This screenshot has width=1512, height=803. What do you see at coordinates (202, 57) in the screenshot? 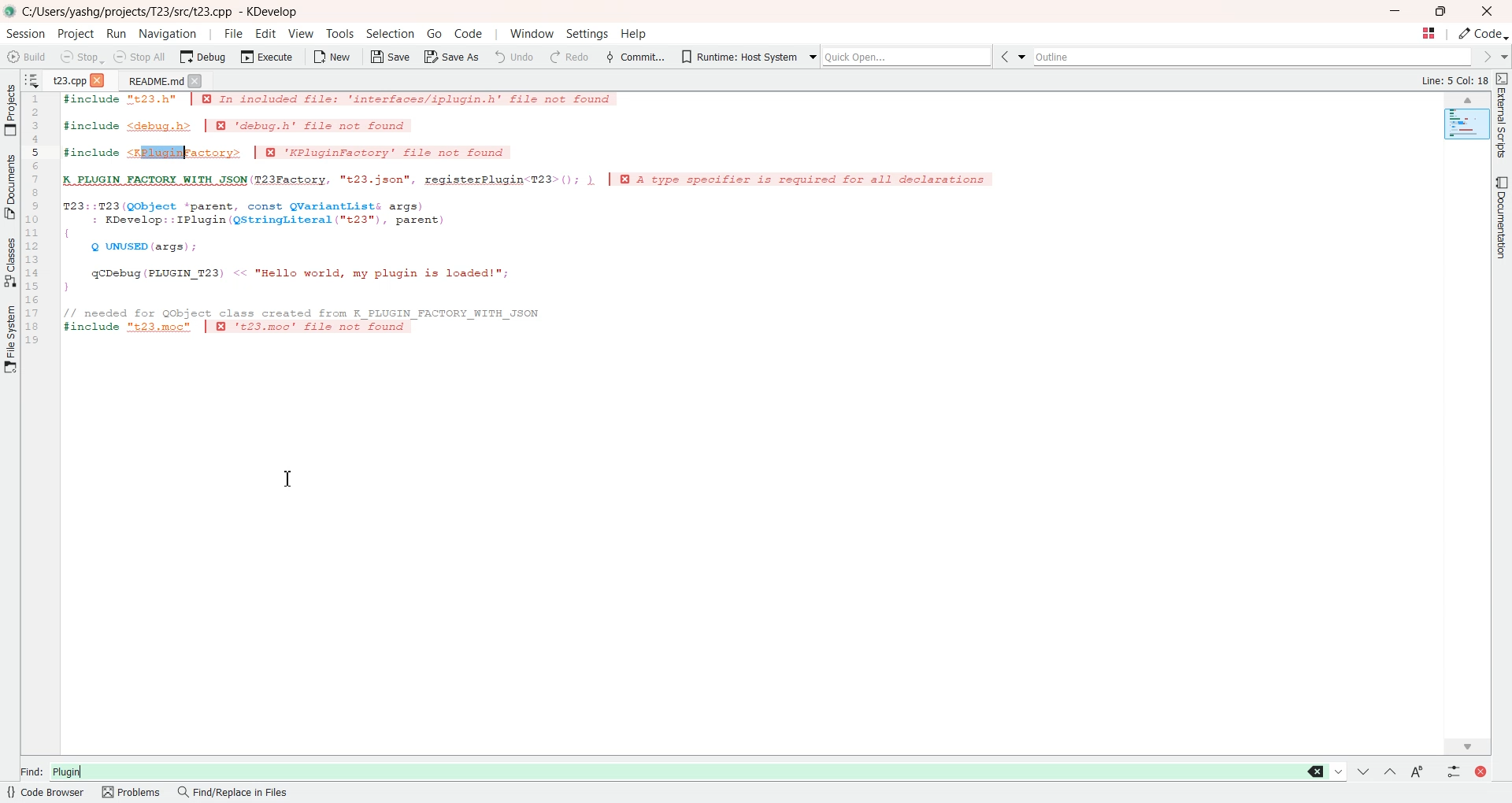
I see `Debug` at bounding box center [202, 57].